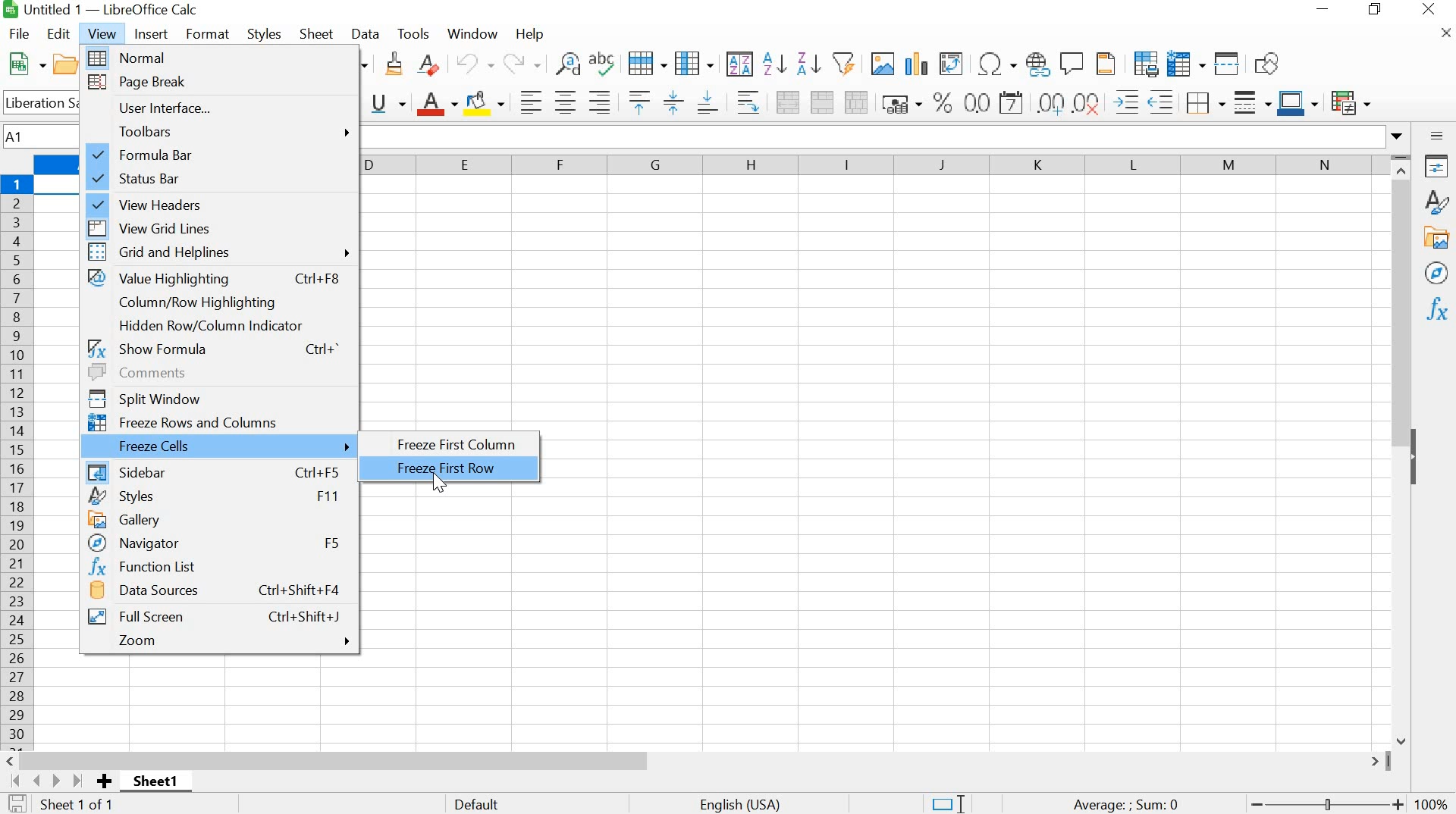  Describe the element at coordinates (367, 34) in the screenshot. I see `DATA` at that location.